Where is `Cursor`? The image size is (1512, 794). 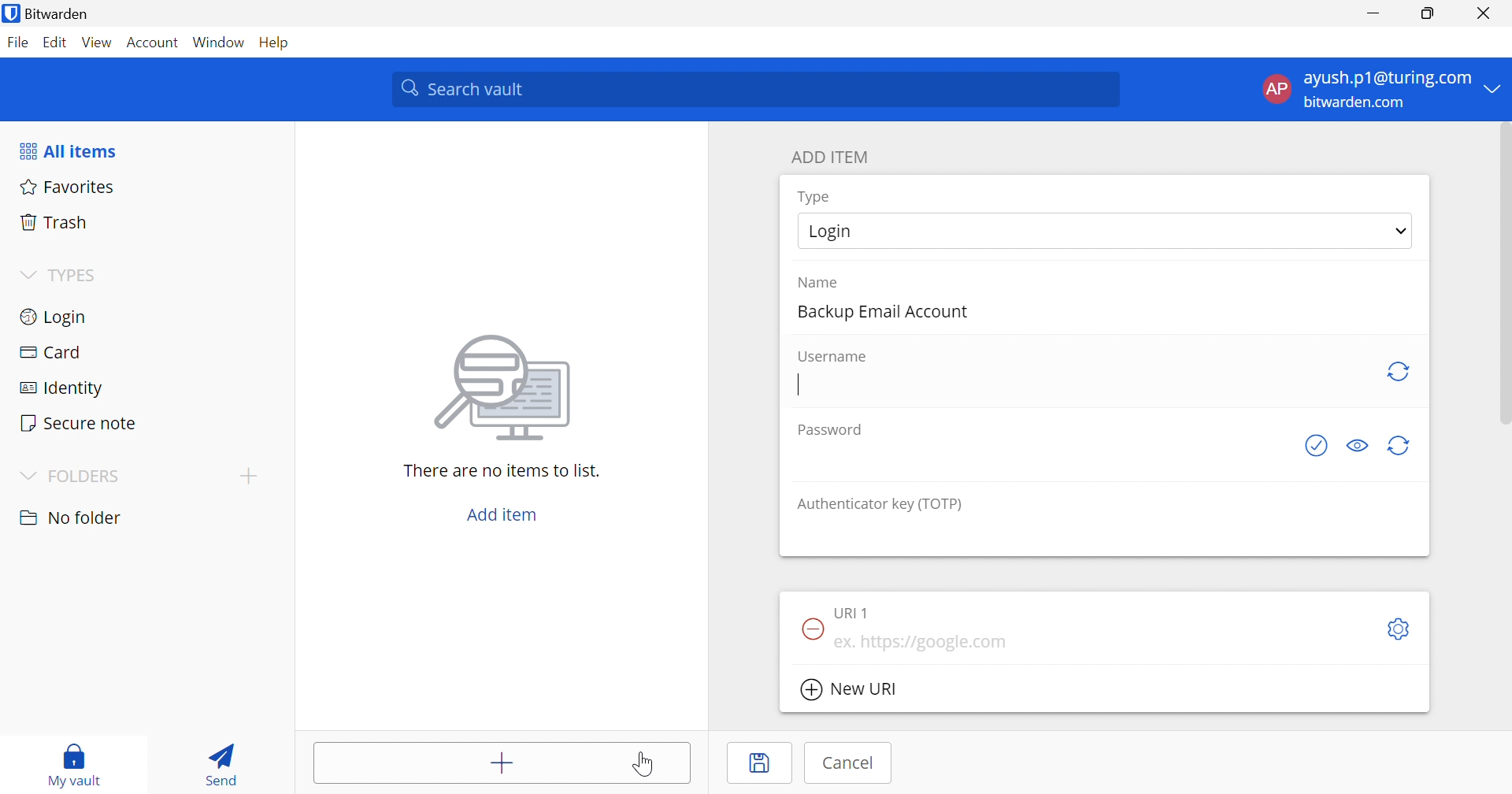 Cursor is located at coordinates (643, 765).